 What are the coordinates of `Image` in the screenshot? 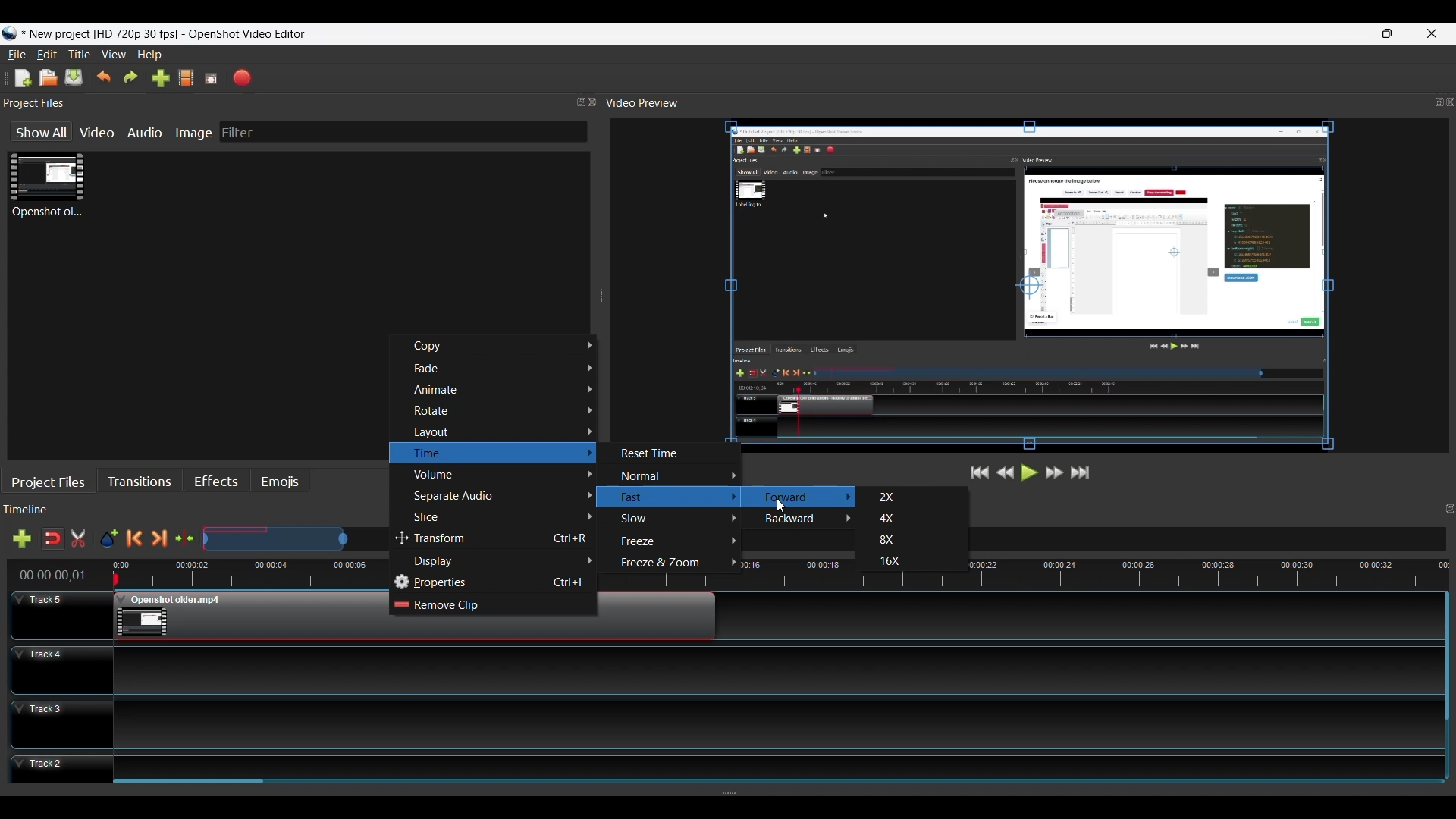 It's located at (193, 133).